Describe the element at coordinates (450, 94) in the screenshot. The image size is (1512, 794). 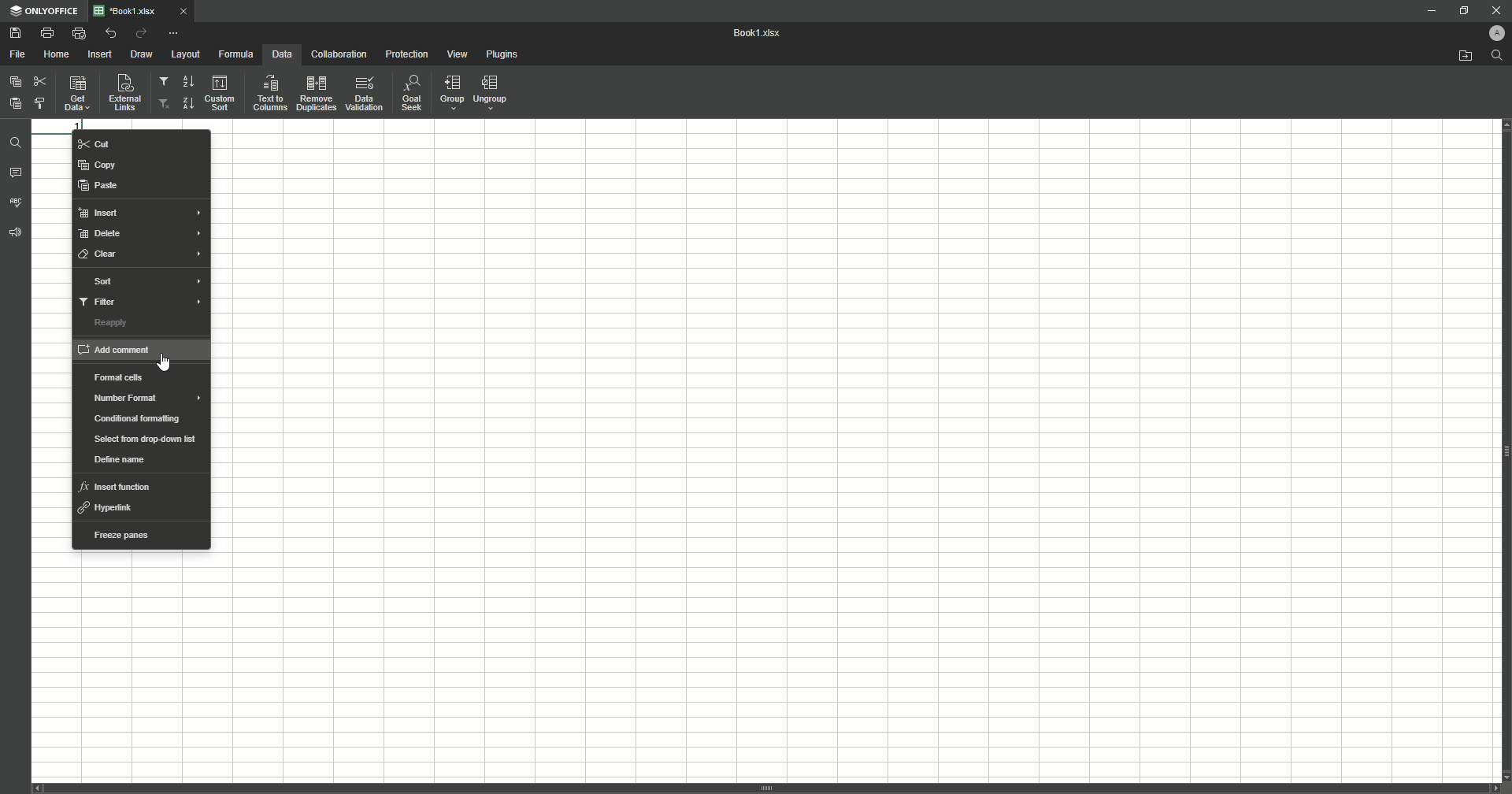
I see `Group` at that location.